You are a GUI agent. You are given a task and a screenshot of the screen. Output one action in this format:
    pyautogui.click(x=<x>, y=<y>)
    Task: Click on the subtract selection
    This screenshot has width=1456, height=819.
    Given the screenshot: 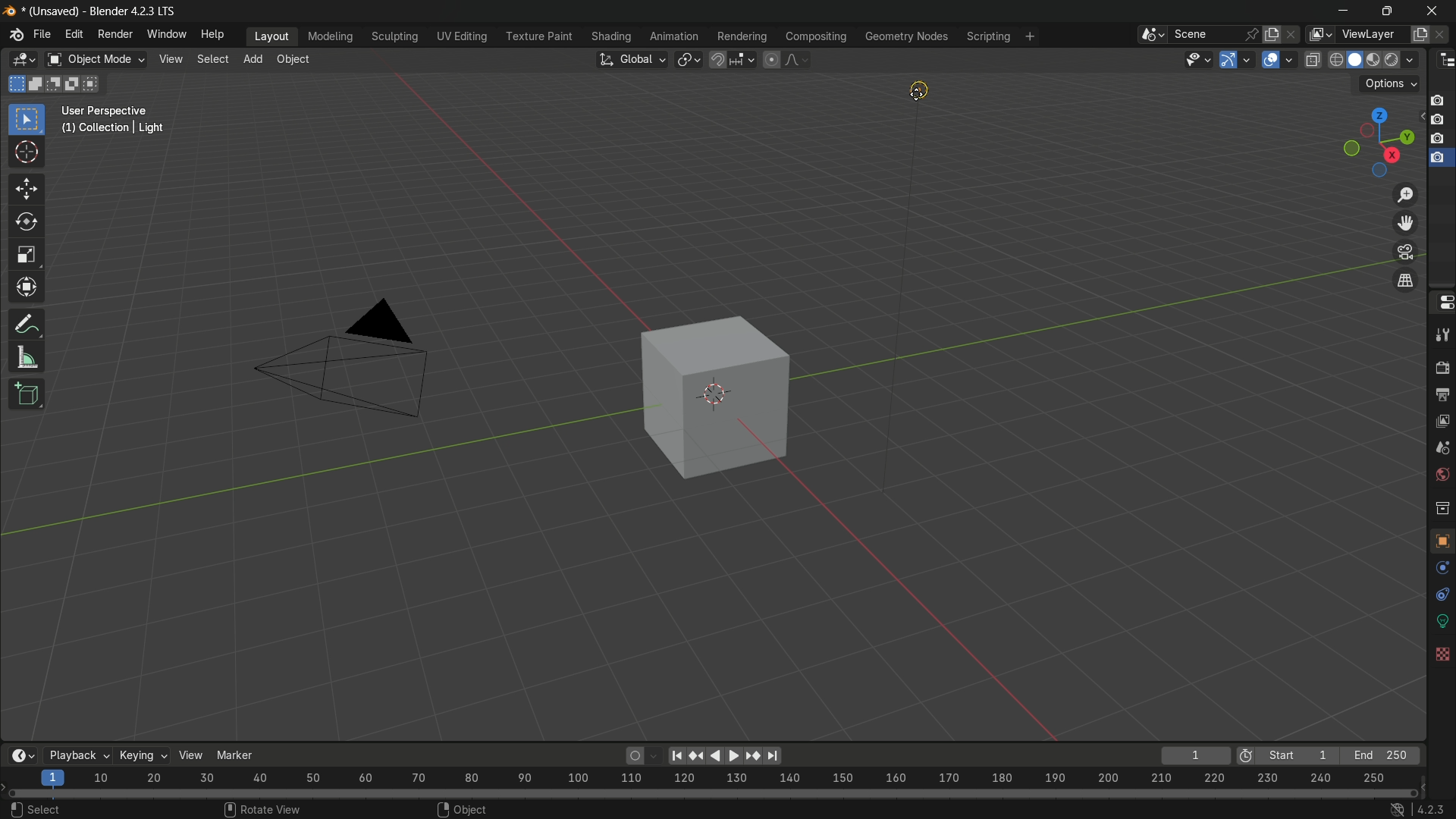 What is the action you would take?
    pyautogui.click(x=58, y=84)
    